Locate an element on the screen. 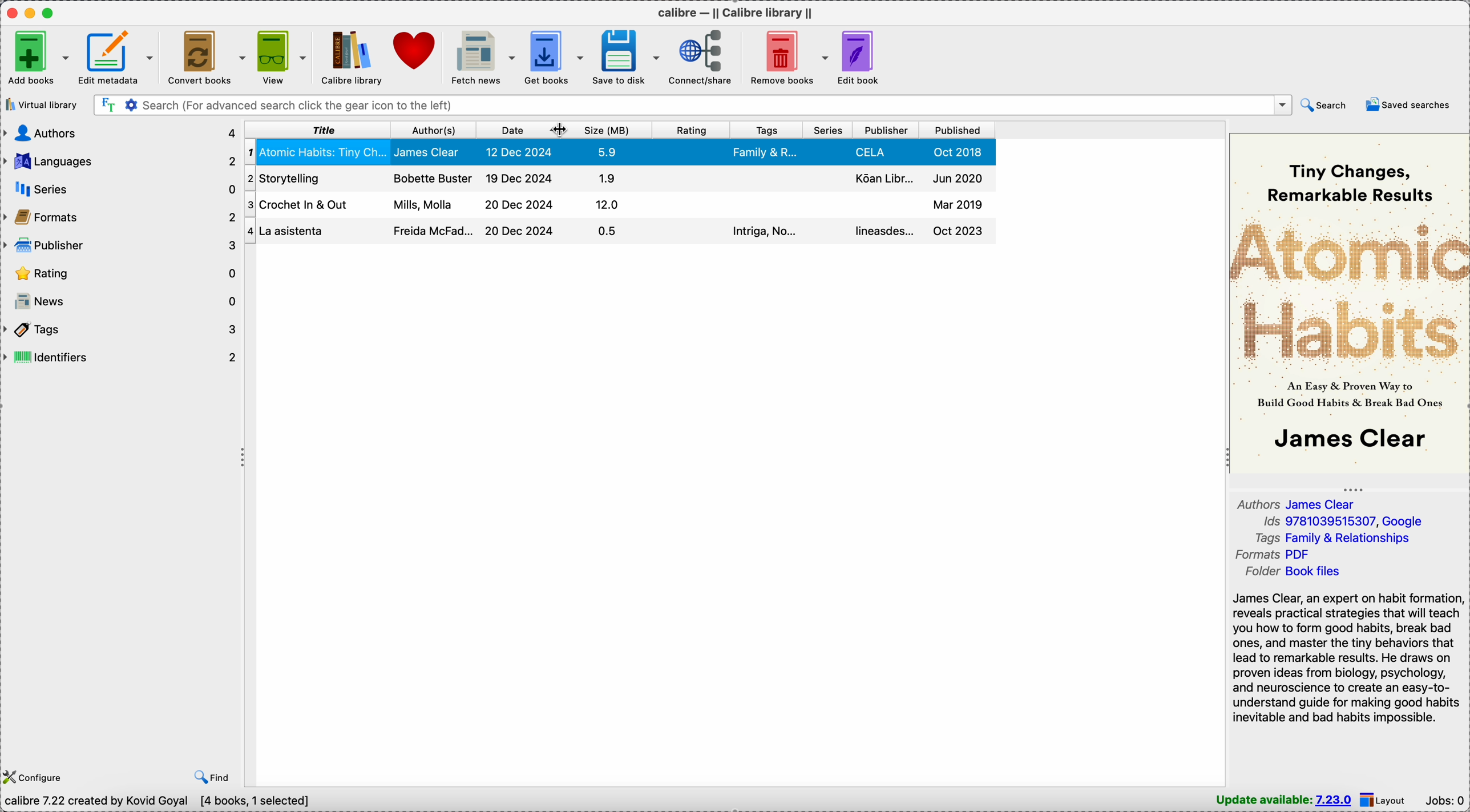  Atomic Habits: Tiny Changes book selected is located at coordinates (620, 152).